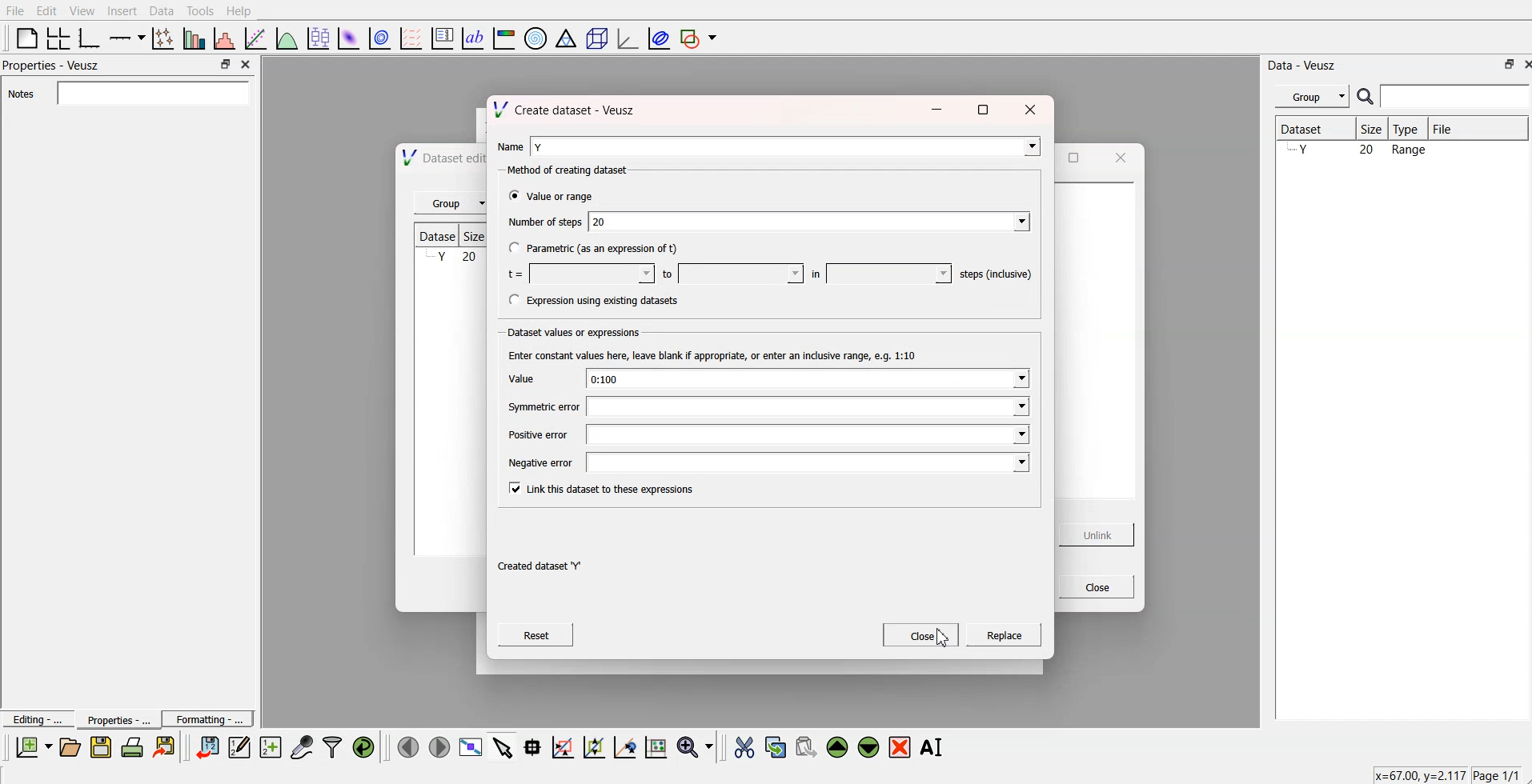  What do you see at coordinates (59, 37) in the screenshot?
I see `arrange a graph in a grid` at bounding box center [59, 37].